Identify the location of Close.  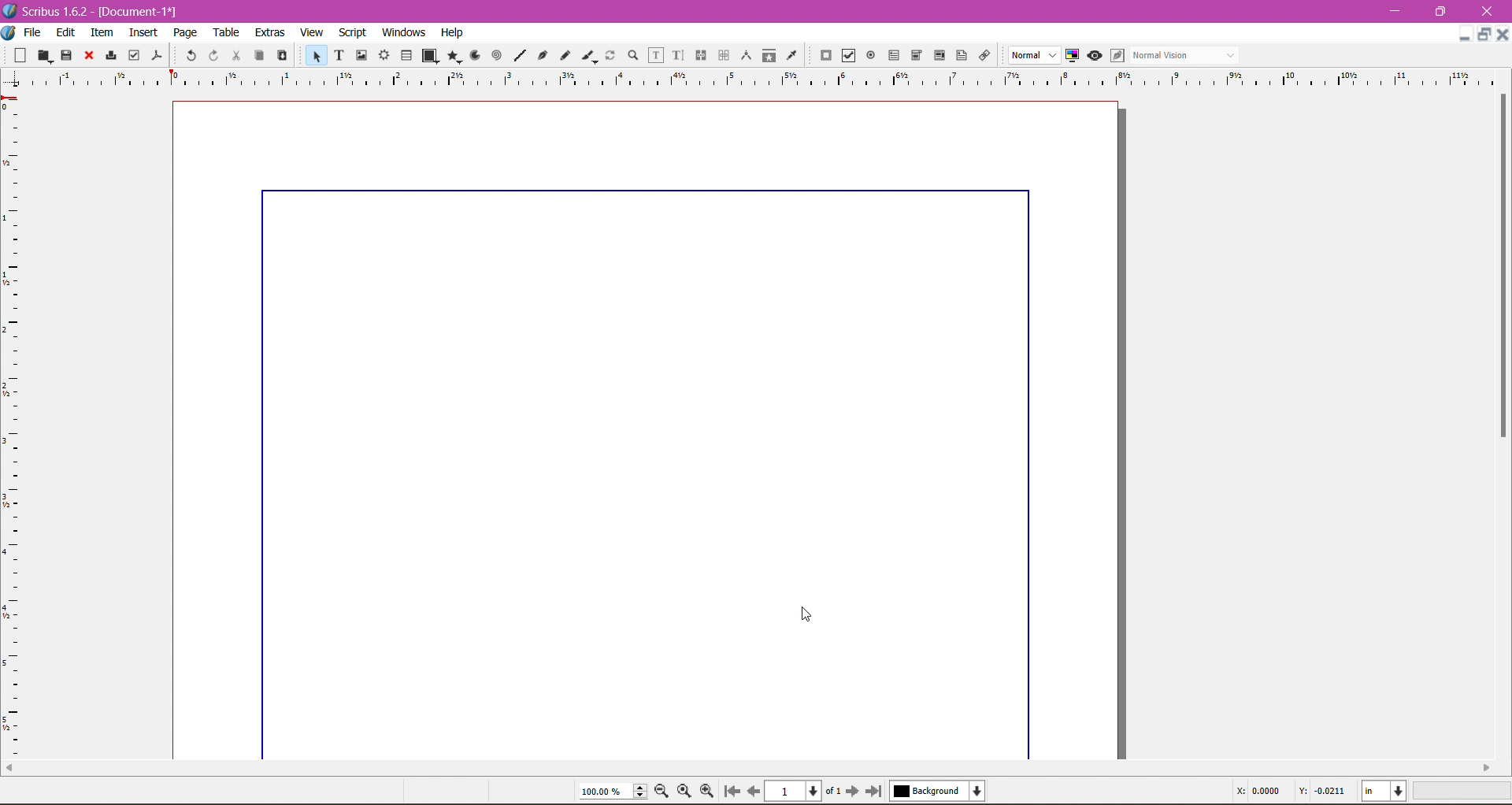
(87, 56).